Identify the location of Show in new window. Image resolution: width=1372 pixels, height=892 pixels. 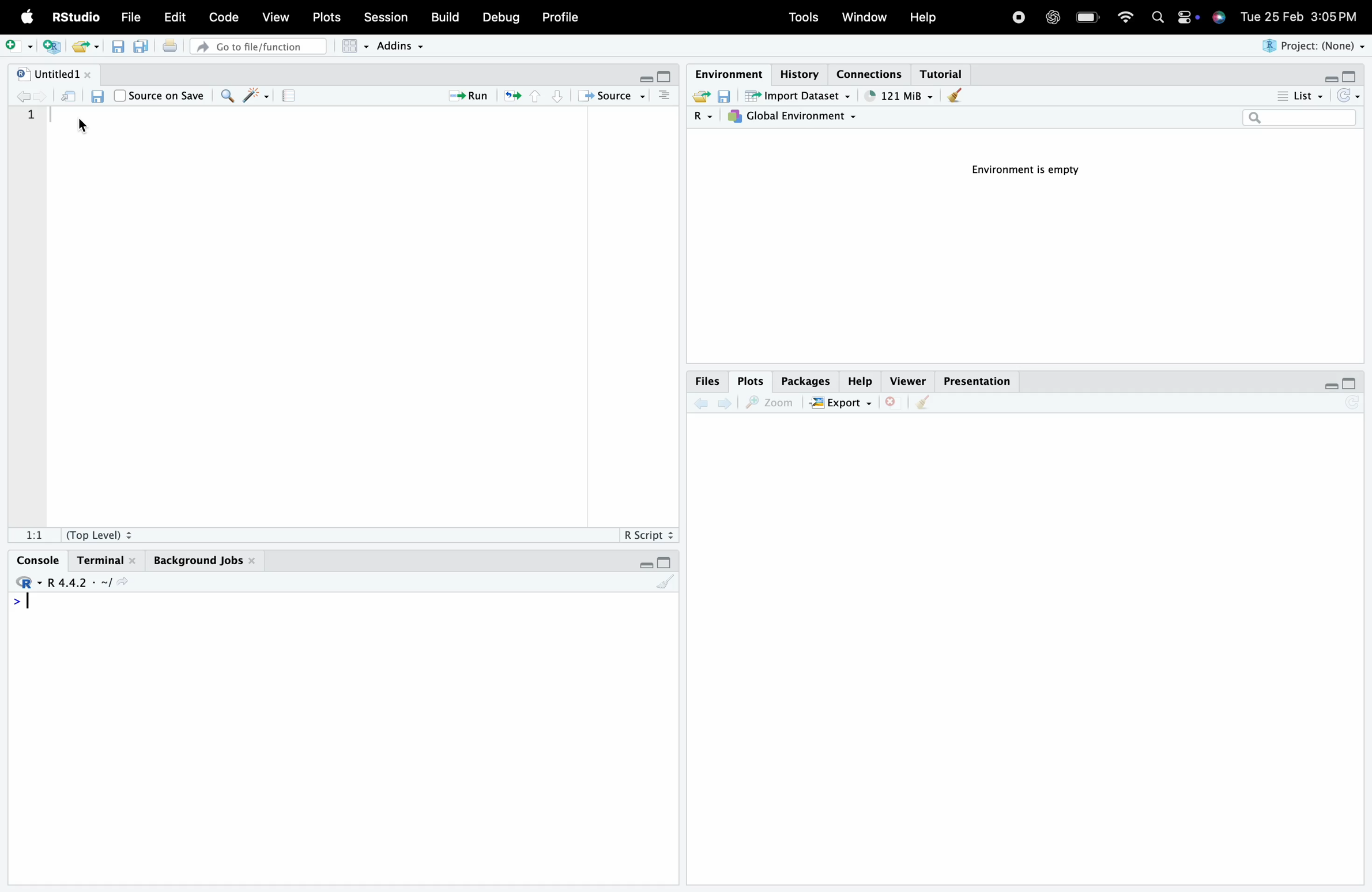
(67, 96).